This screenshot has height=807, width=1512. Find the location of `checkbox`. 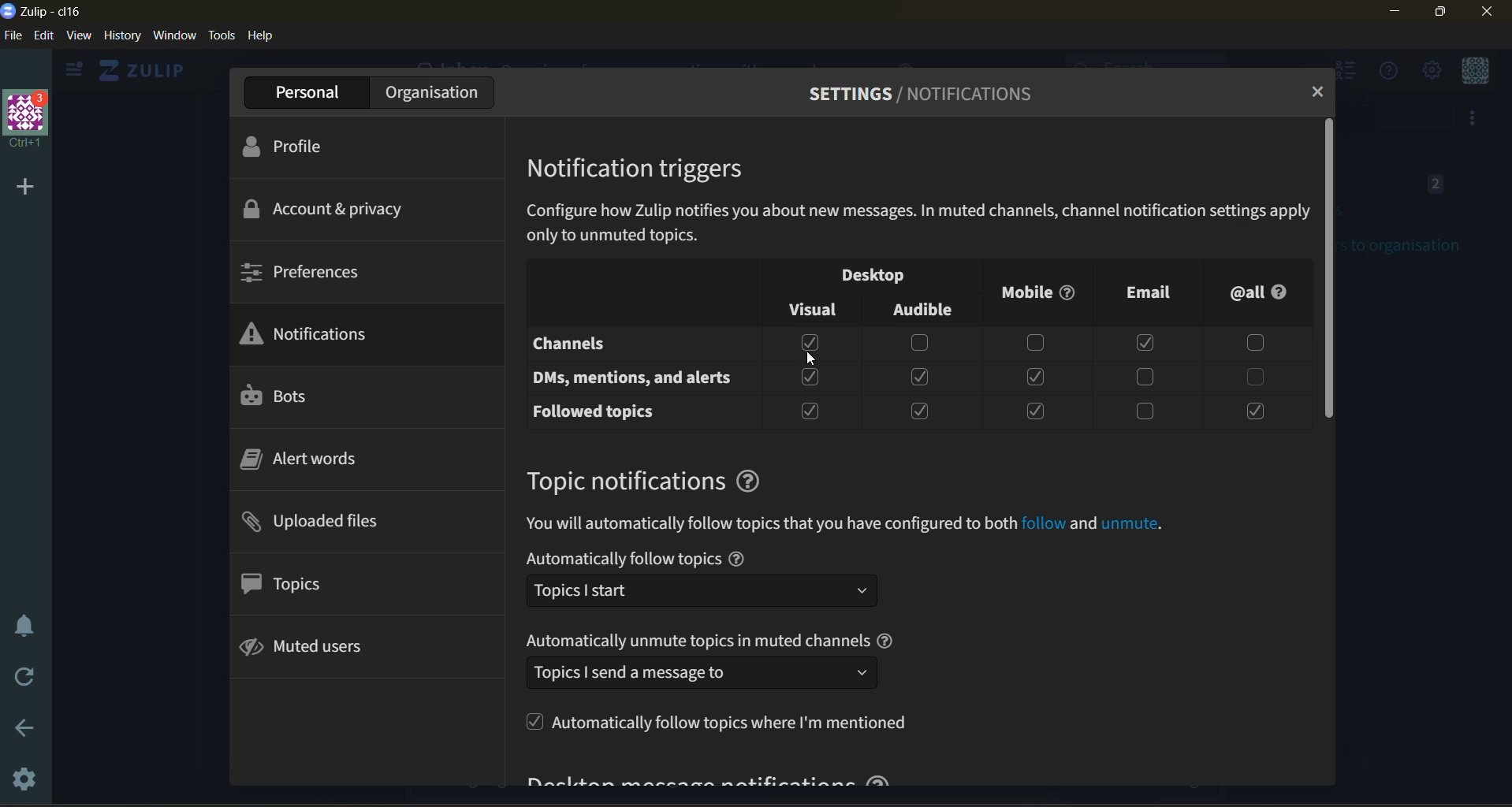

checkbox is located at coordinates (920, 344).